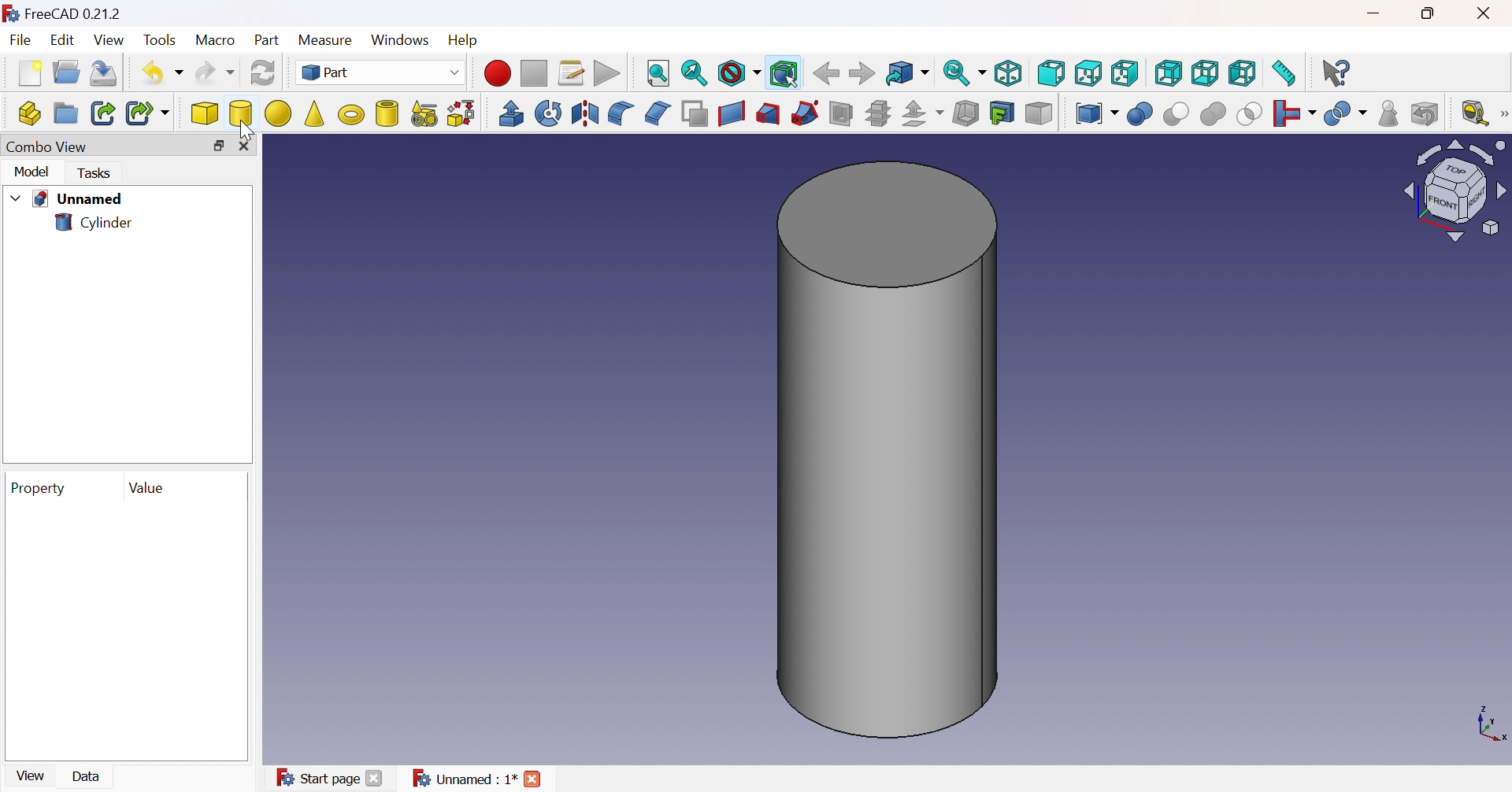 Image resolution: width=1512 pixels, height=792 pixels. Describe the element at coordinates (1141, 116) in the screenshot. I see `Boolean` at that location.